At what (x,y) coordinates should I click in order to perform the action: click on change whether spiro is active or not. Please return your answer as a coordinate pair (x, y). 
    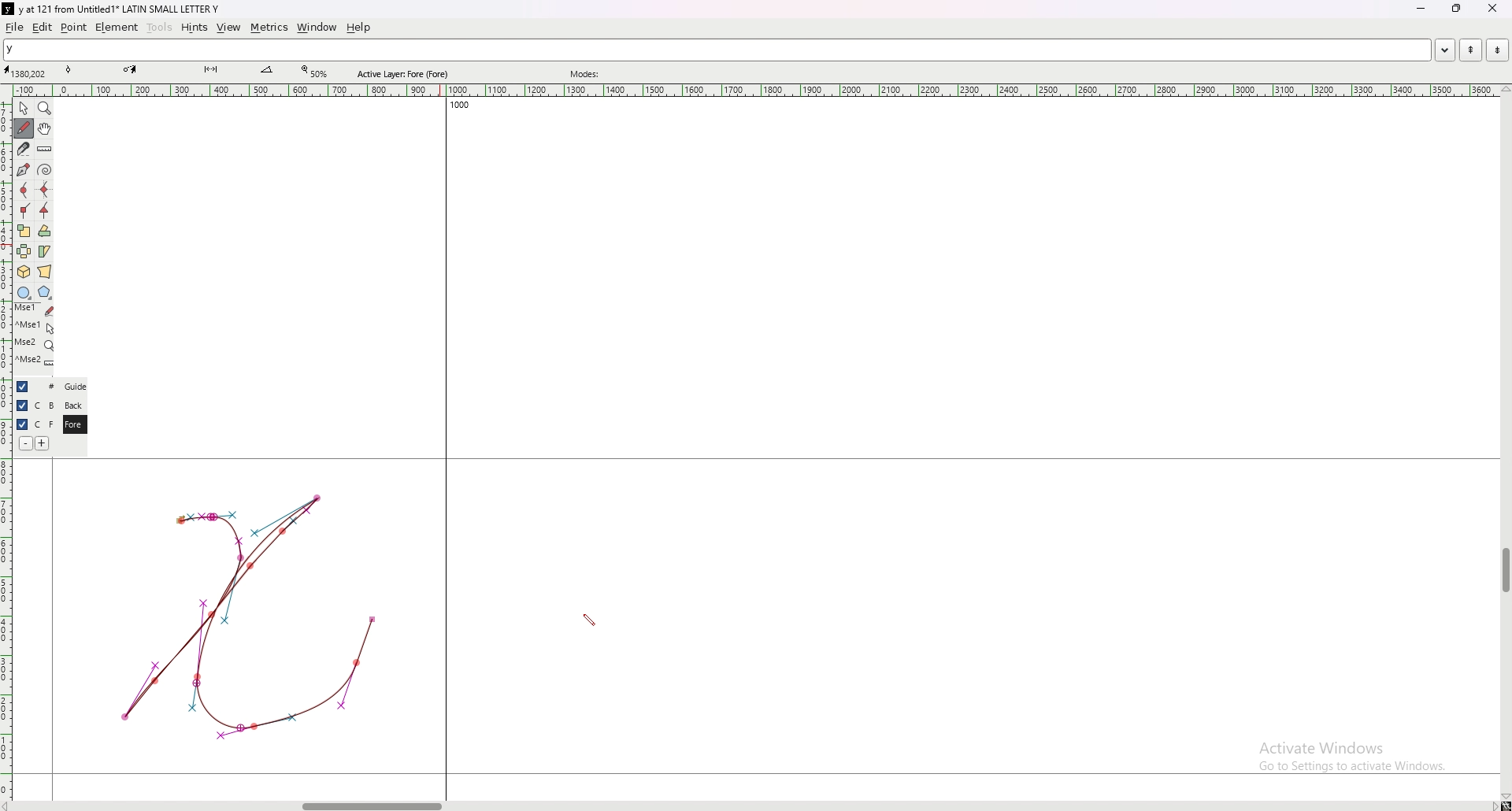
    Looking at the image, I should click on (45, 169).